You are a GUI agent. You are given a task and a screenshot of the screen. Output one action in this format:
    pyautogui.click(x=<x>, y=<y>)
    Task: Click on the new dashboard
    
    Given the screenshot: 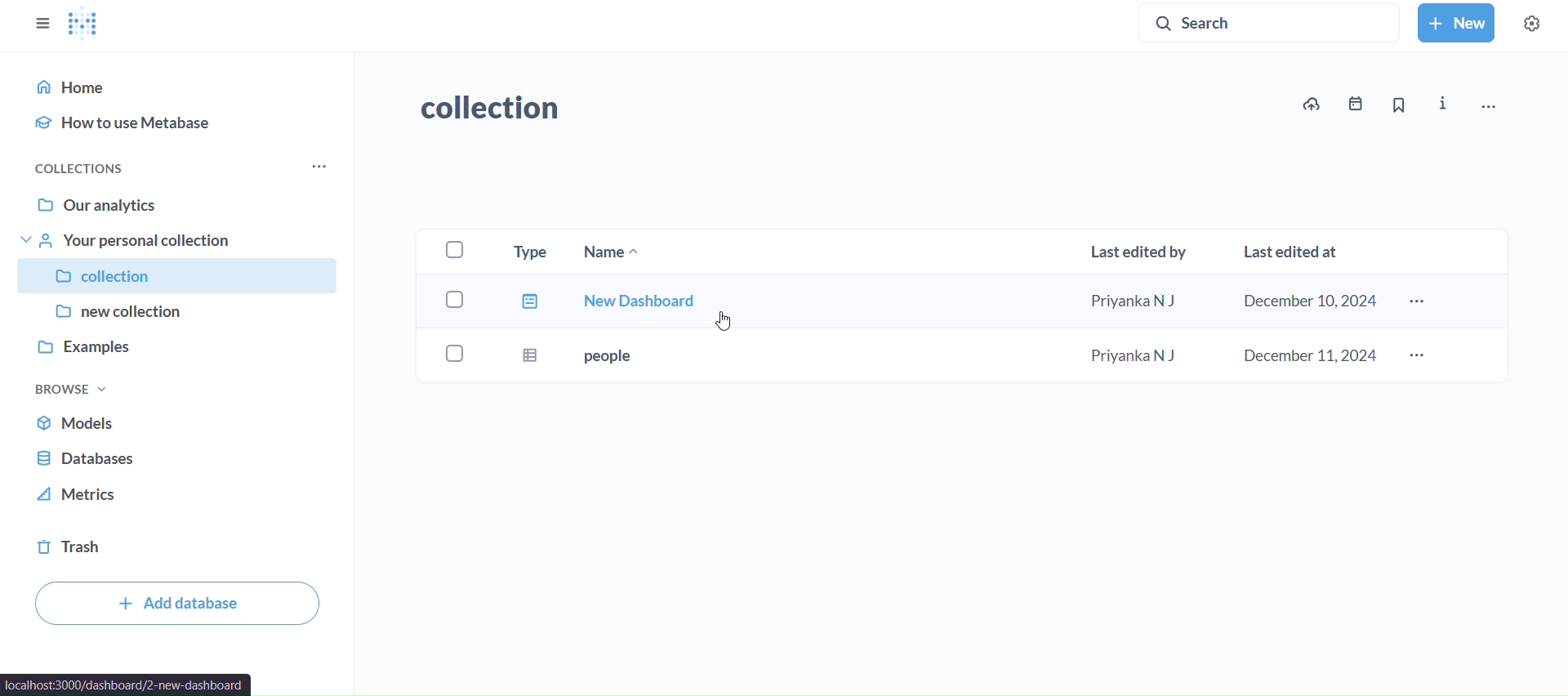 What is the action you would take?
    pyautogui.click(x=652, y=301)
    